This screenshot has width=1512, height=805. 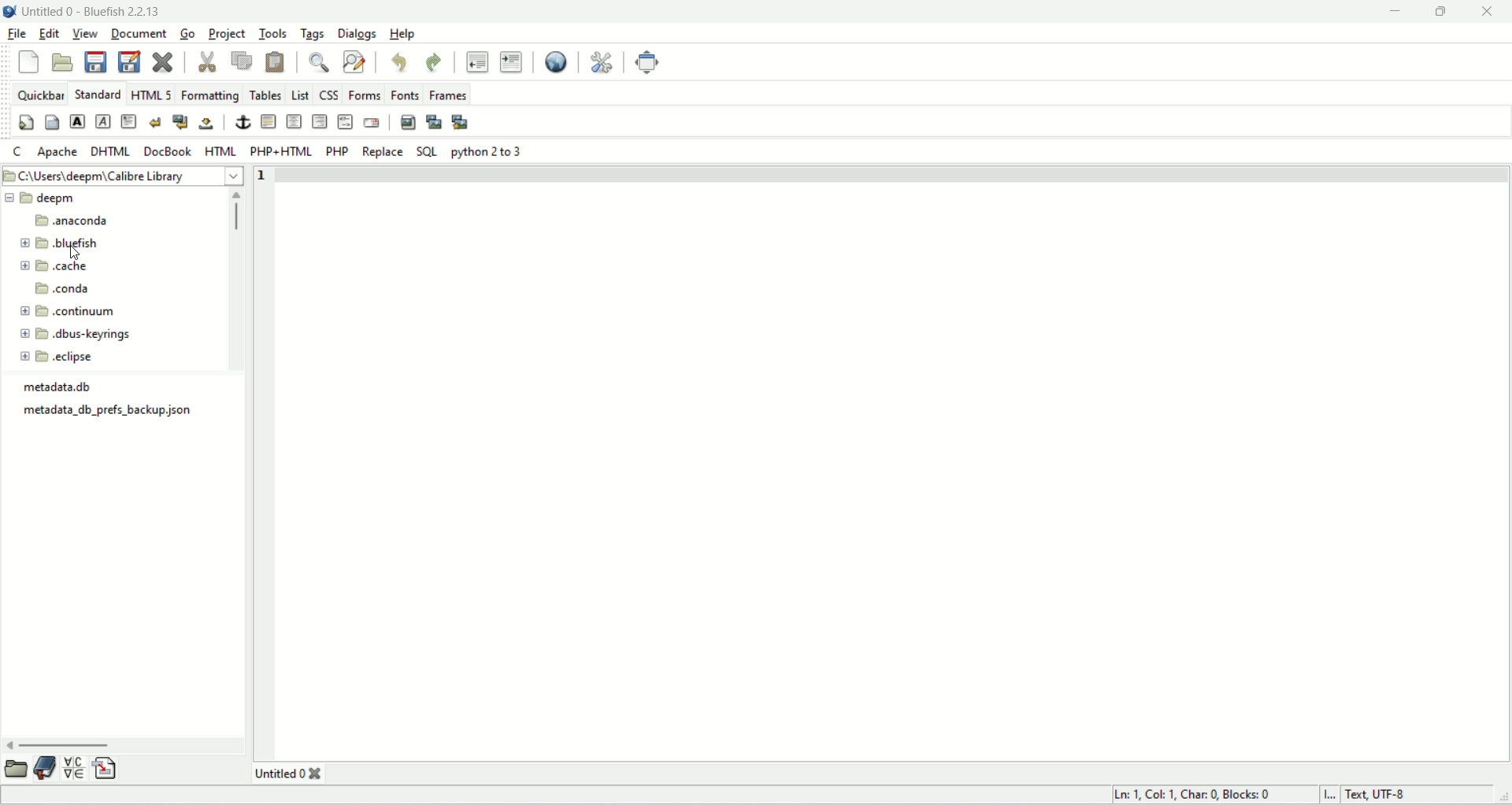 I want to click on title, so click(x=298, y=773).